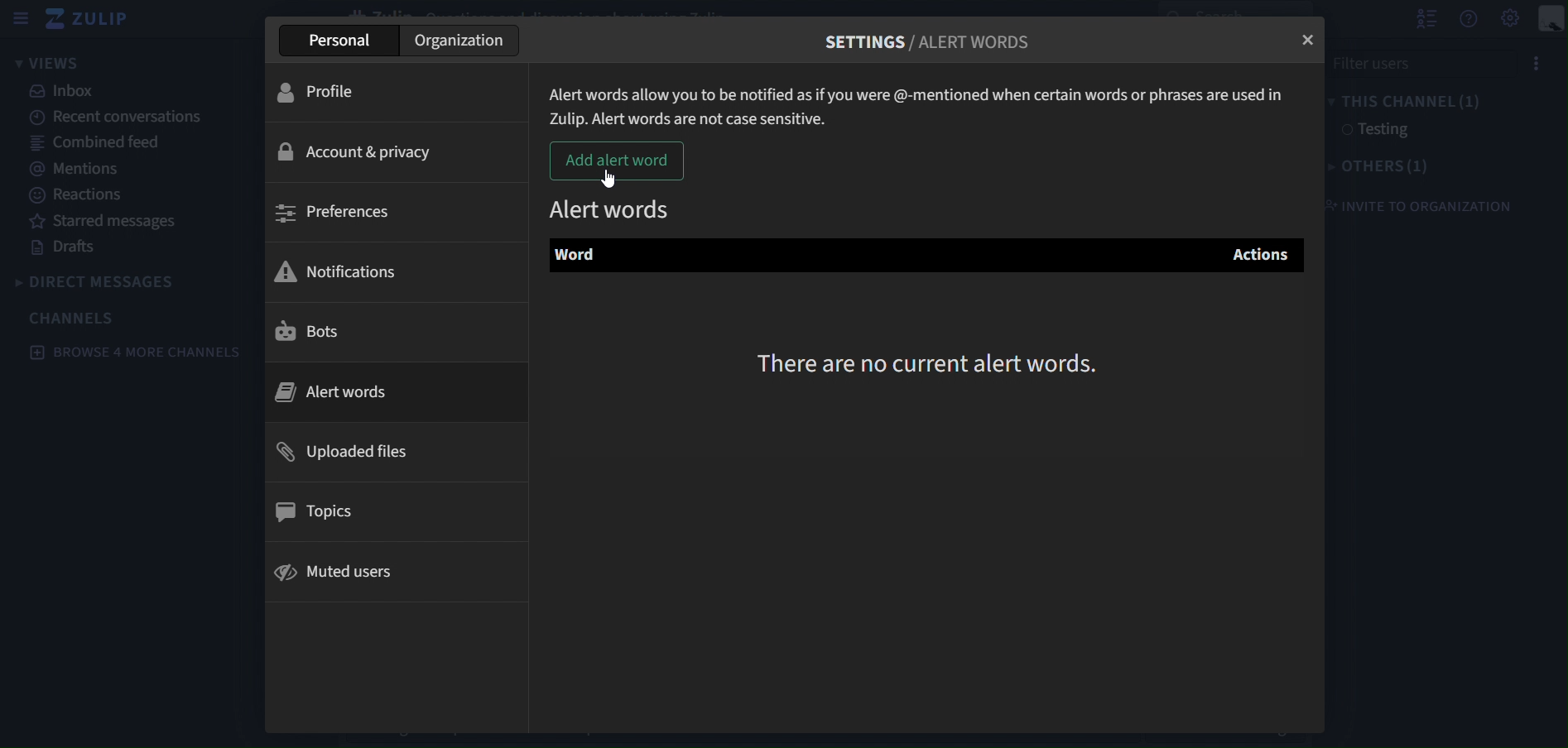  I want to click on channels, so click(75, 318).